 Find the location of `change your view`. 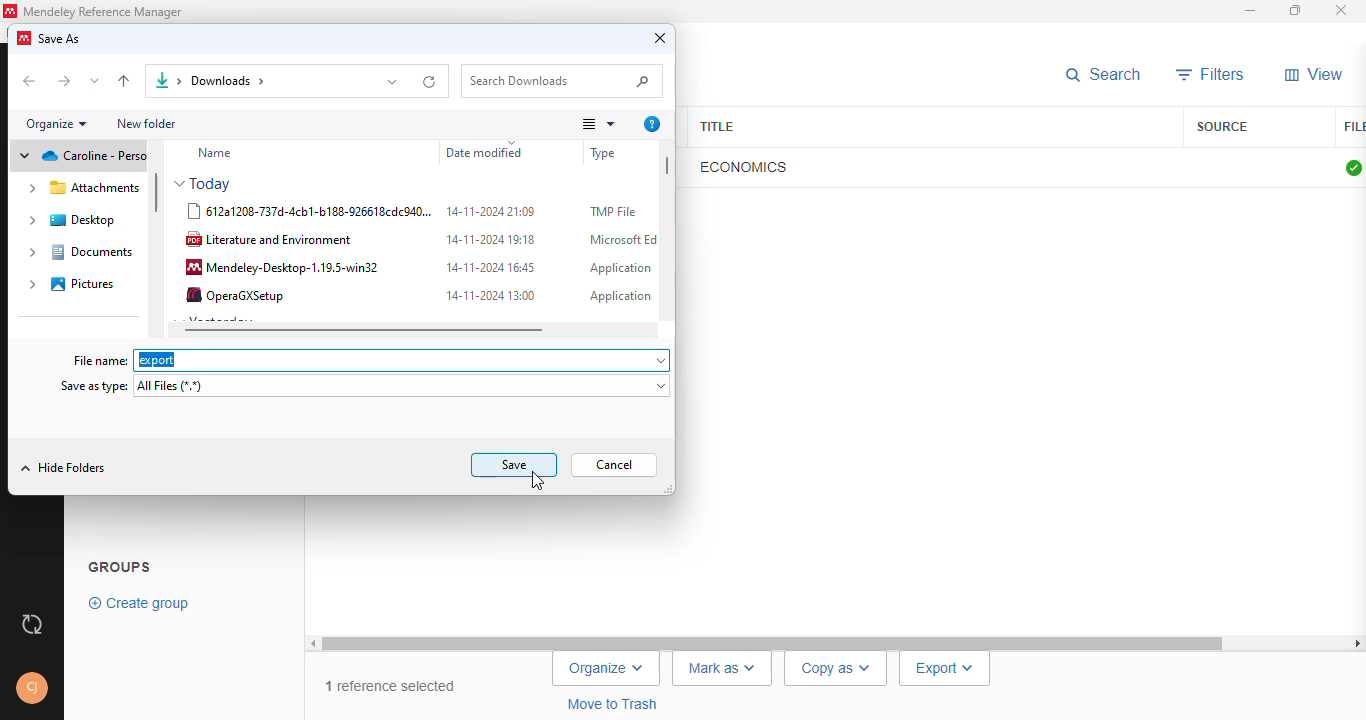

change your view is located at coordinates (599, 124).